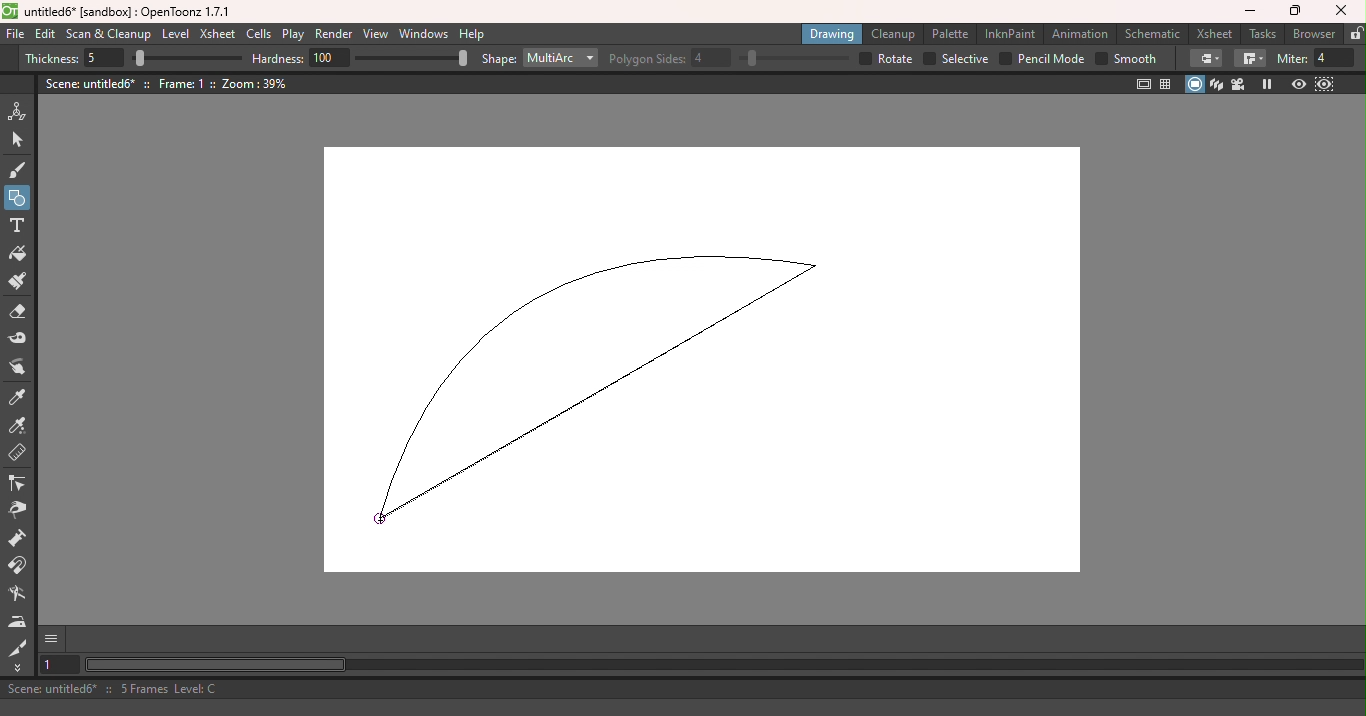 This screenshot has width=1366, height=716. Describe the element at coordinates (1080, 32) in the screenshot. I see `Animation` at that location.